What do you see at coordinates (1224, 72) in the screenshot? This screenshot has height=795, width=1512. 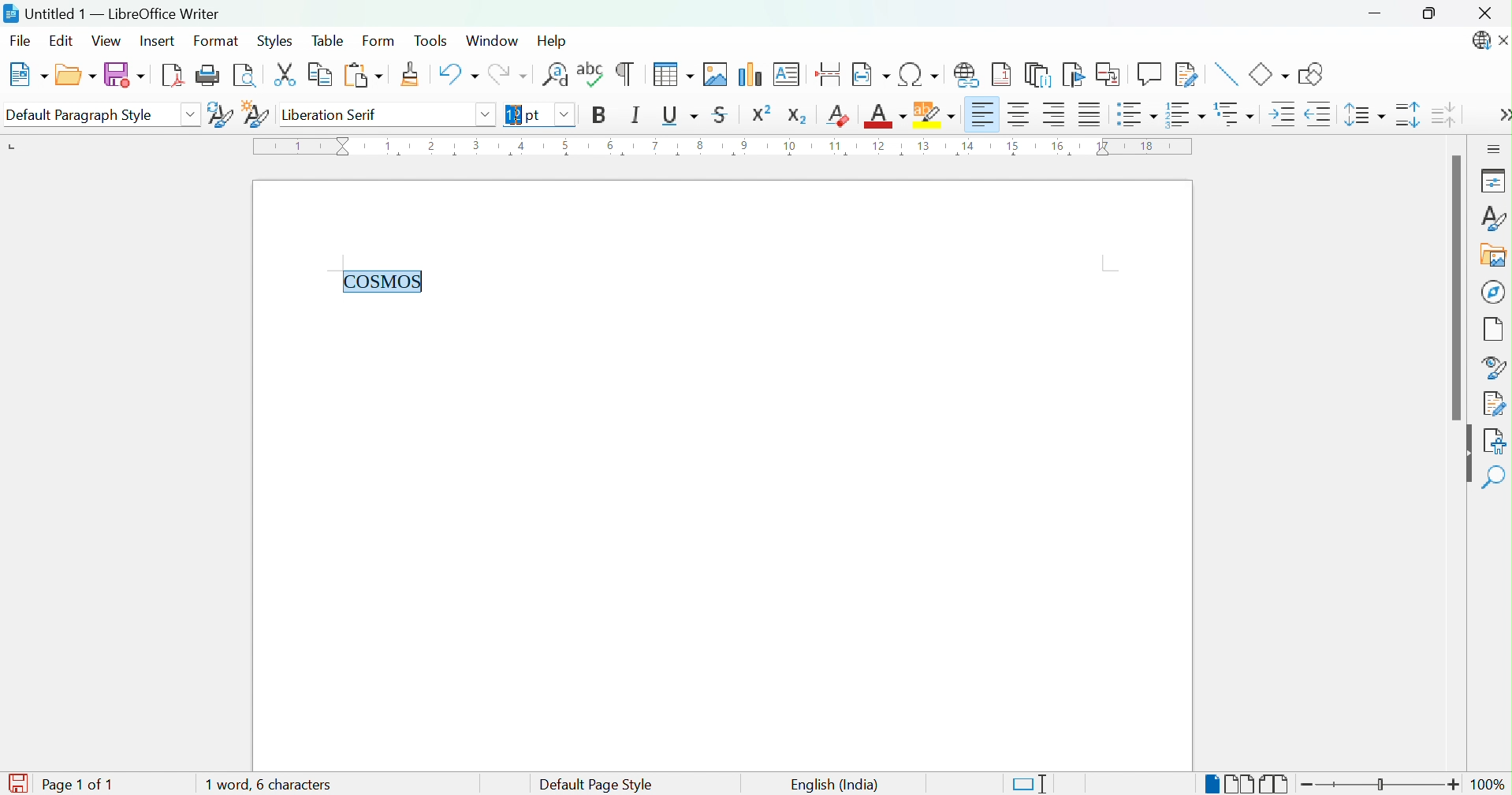 I see `Insert Line` at bounding box center [1224, 72].